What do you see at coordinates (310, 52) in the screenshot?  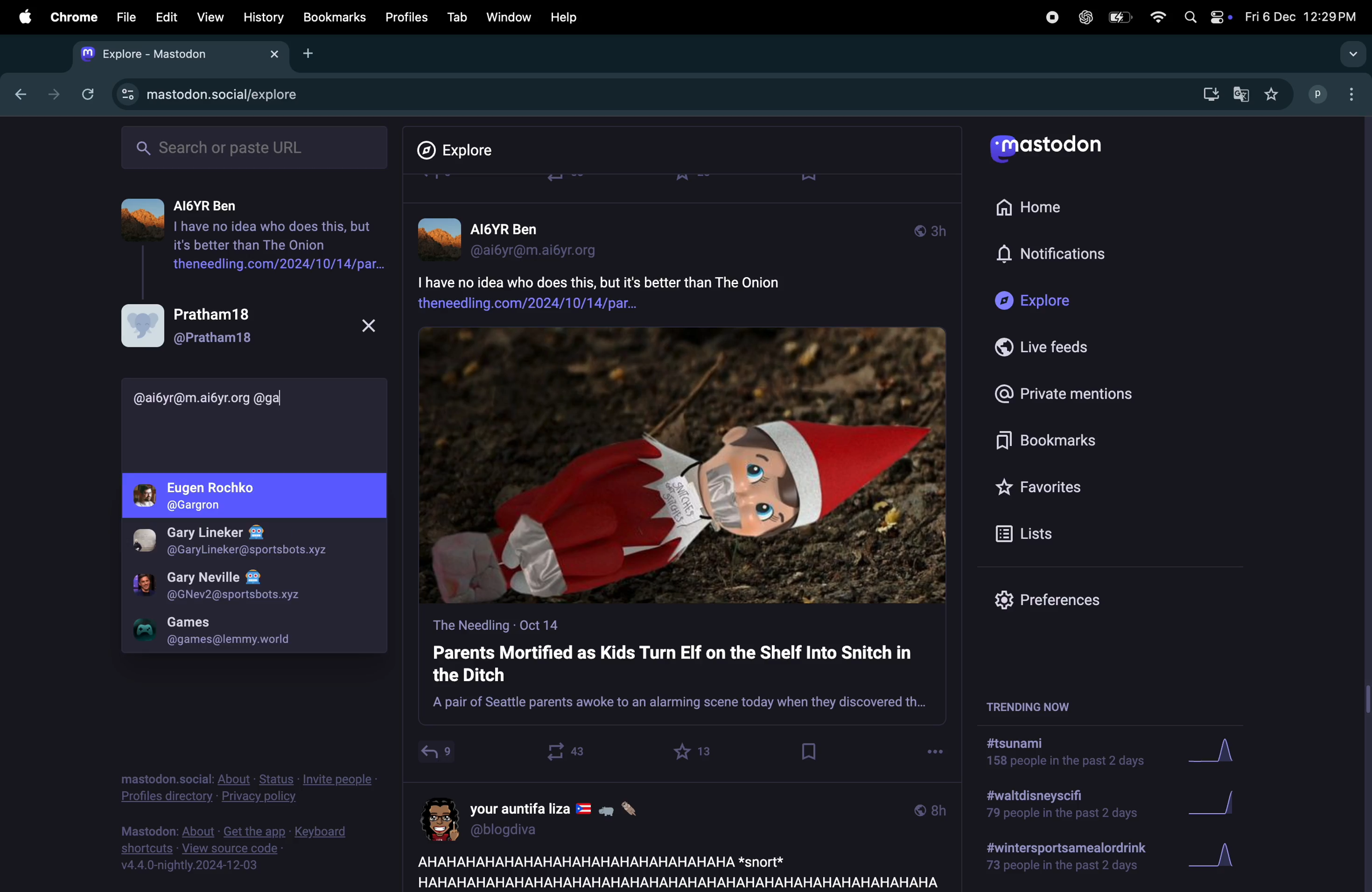 I see `add tab` at bounding box center [310, 52].